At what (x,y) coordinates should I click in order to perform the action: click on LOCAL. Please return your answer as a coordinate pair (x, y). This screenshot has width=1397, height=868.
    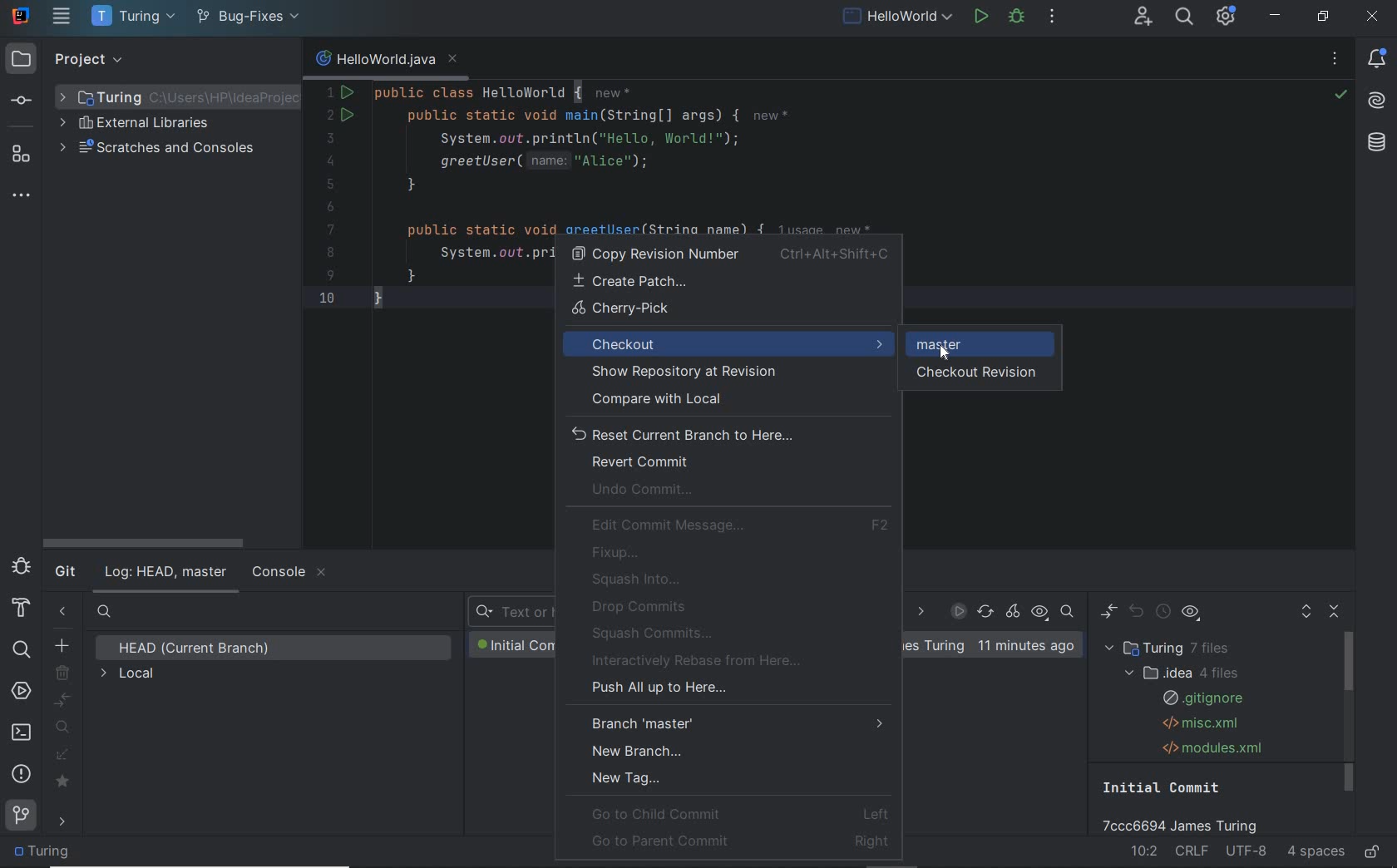
    Looking at the image, I should click on (129, 675).